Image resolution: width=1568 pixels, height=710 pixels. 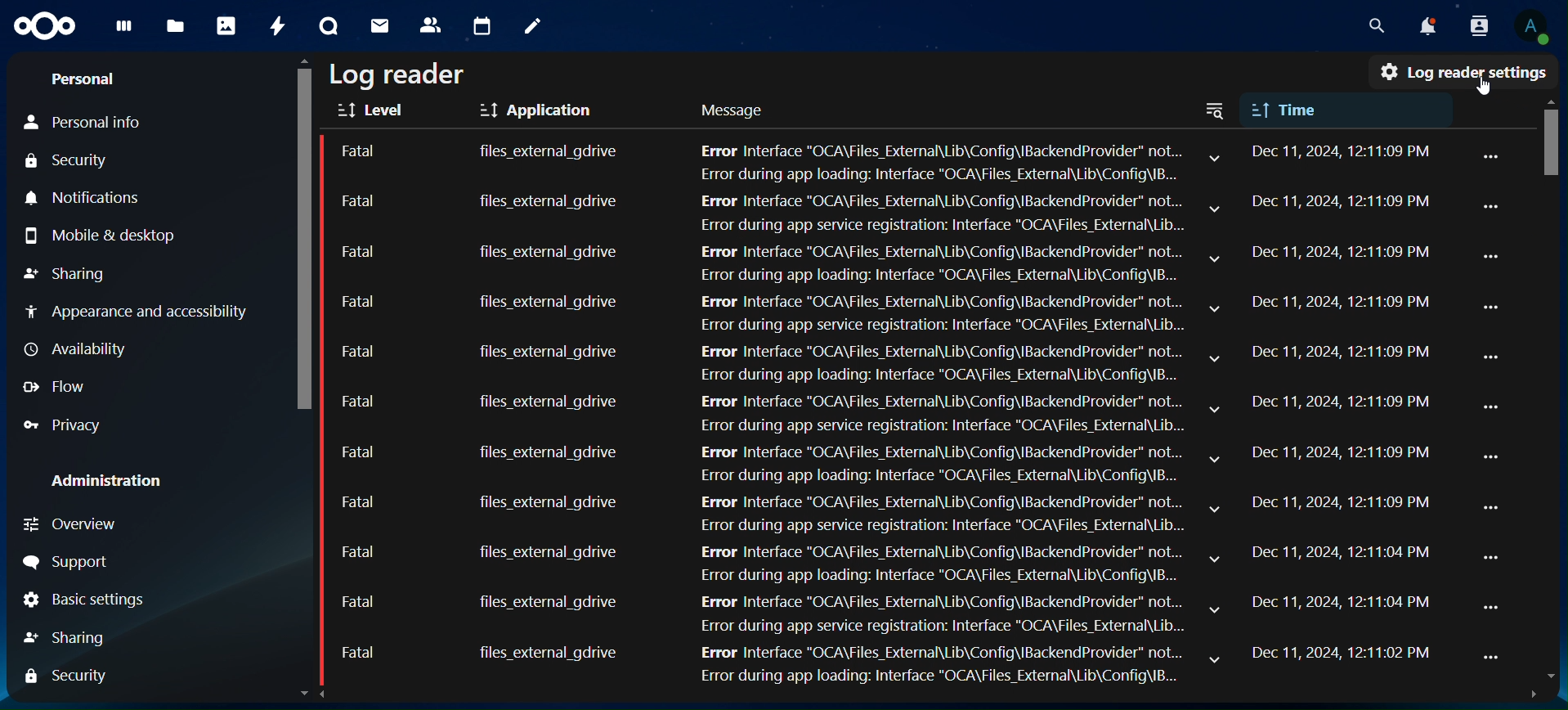 What do you see at coordinates (1555, 400) in the screenshot?
I see `scrollbar` at bounding box center [1555, 400].